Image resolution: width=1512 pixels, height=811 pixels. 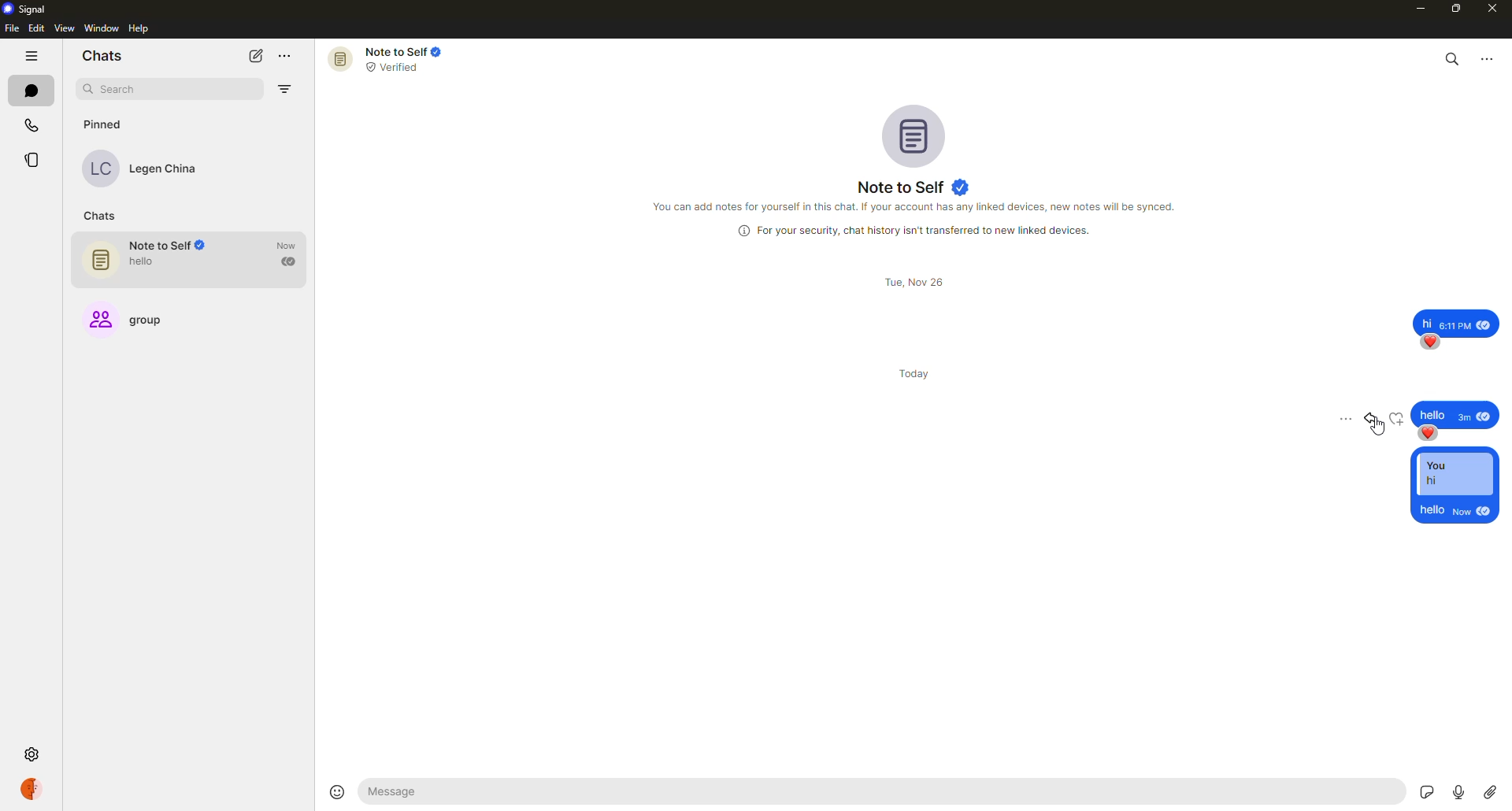 I want to click on record, so click(x=1454, y=791).